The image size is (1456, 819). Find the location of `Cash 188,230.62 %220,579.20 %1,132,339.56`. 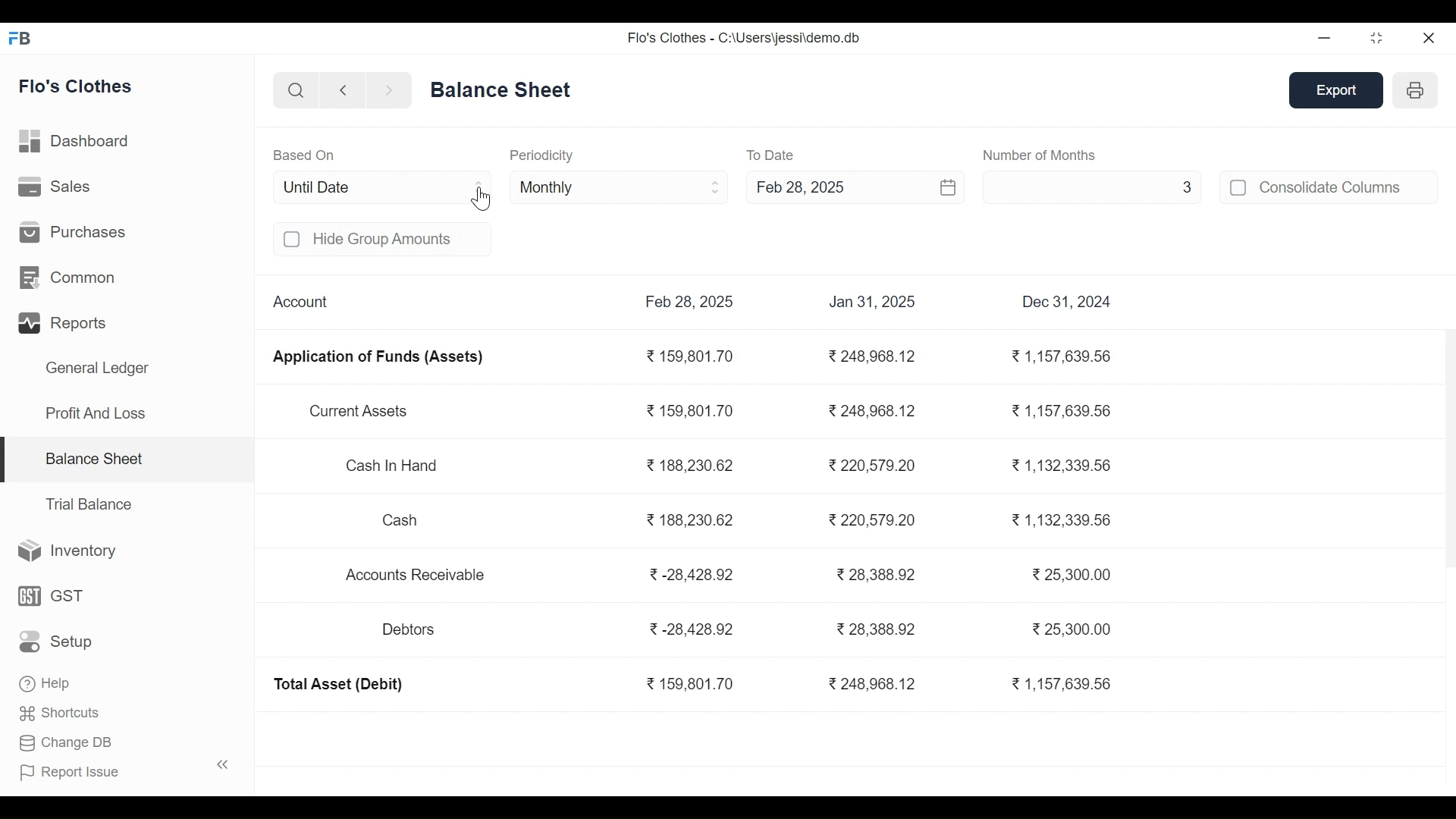

Cash 188,230.62 %220,579.20 %1,132,339.56 is located at coordinates (748, 518).